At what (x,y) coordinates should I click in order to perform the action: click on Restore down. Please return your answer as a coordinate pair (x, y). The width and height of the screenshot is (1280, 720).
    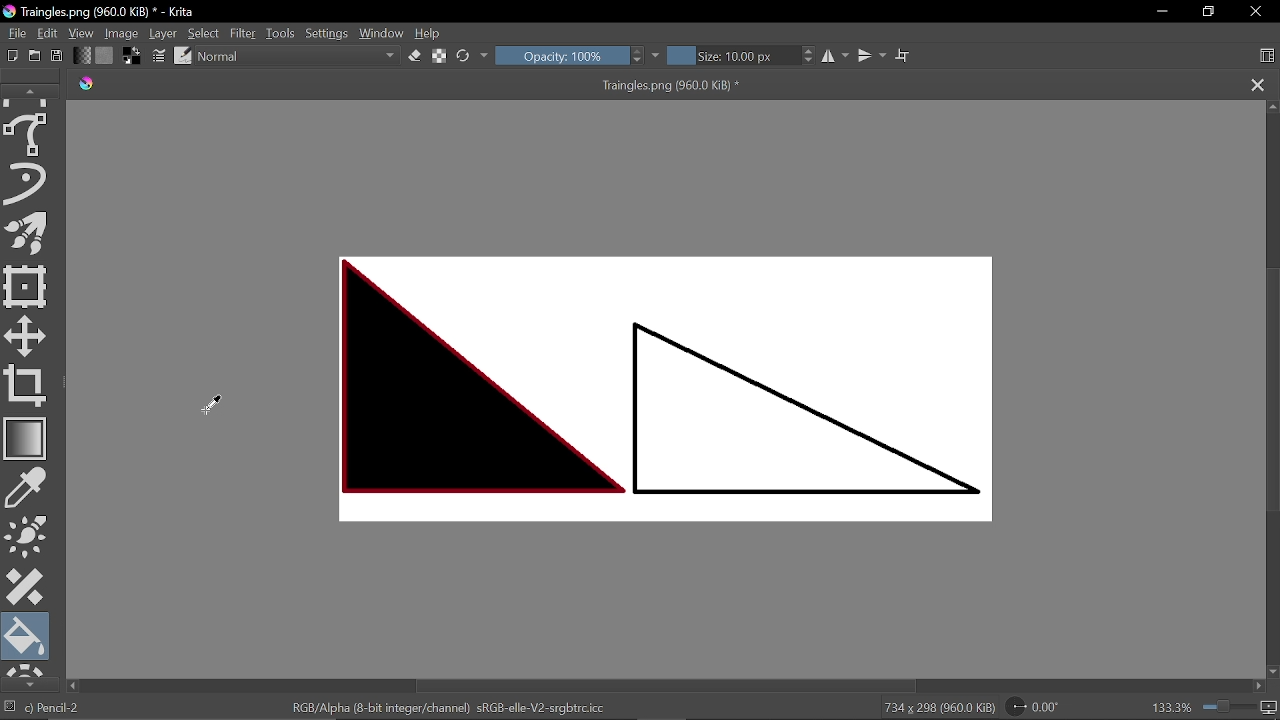
    Looking at the image, I should click on (1206, 11).